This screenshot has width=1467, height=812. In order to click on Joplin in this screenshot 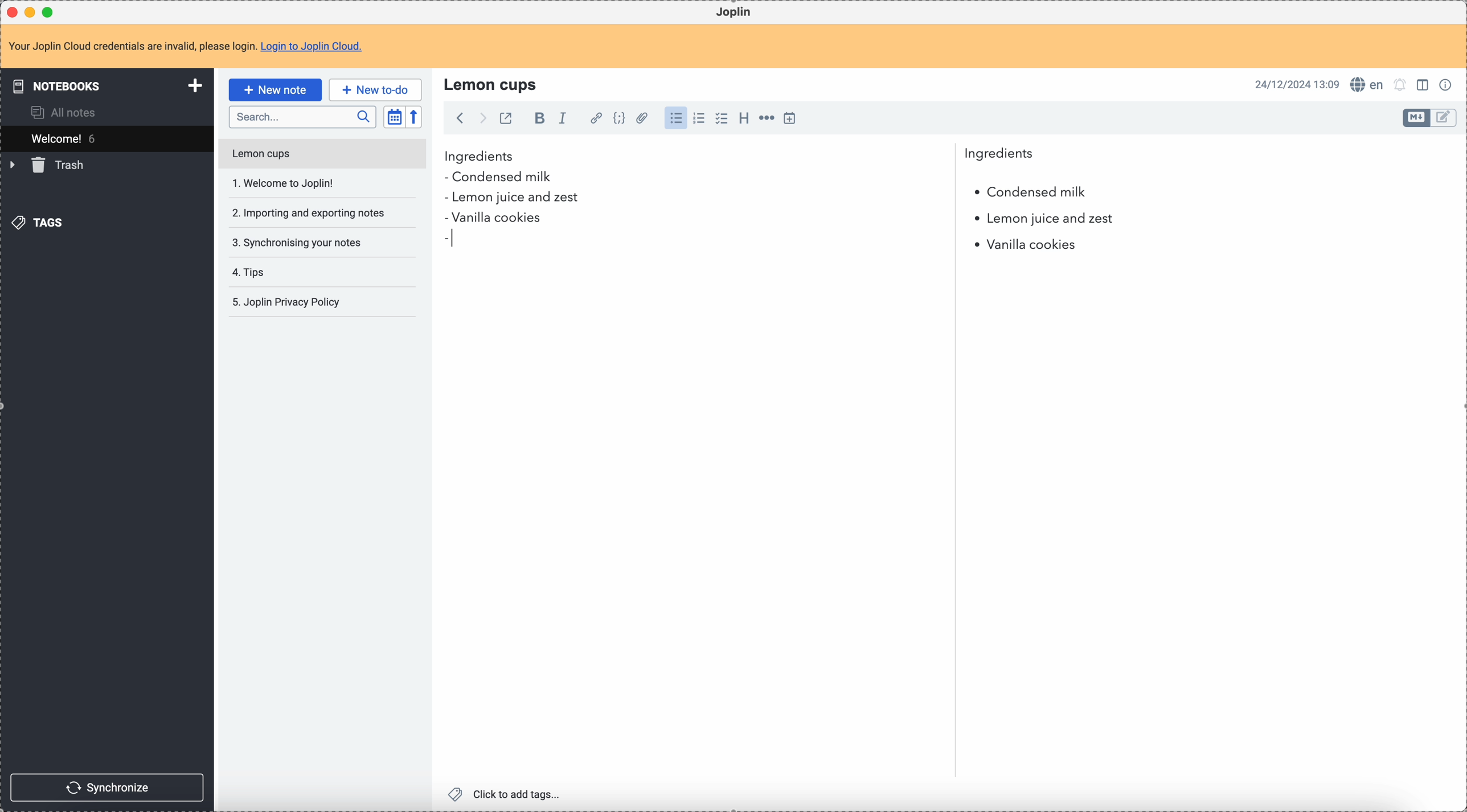, I will do `click(733, 13)`.